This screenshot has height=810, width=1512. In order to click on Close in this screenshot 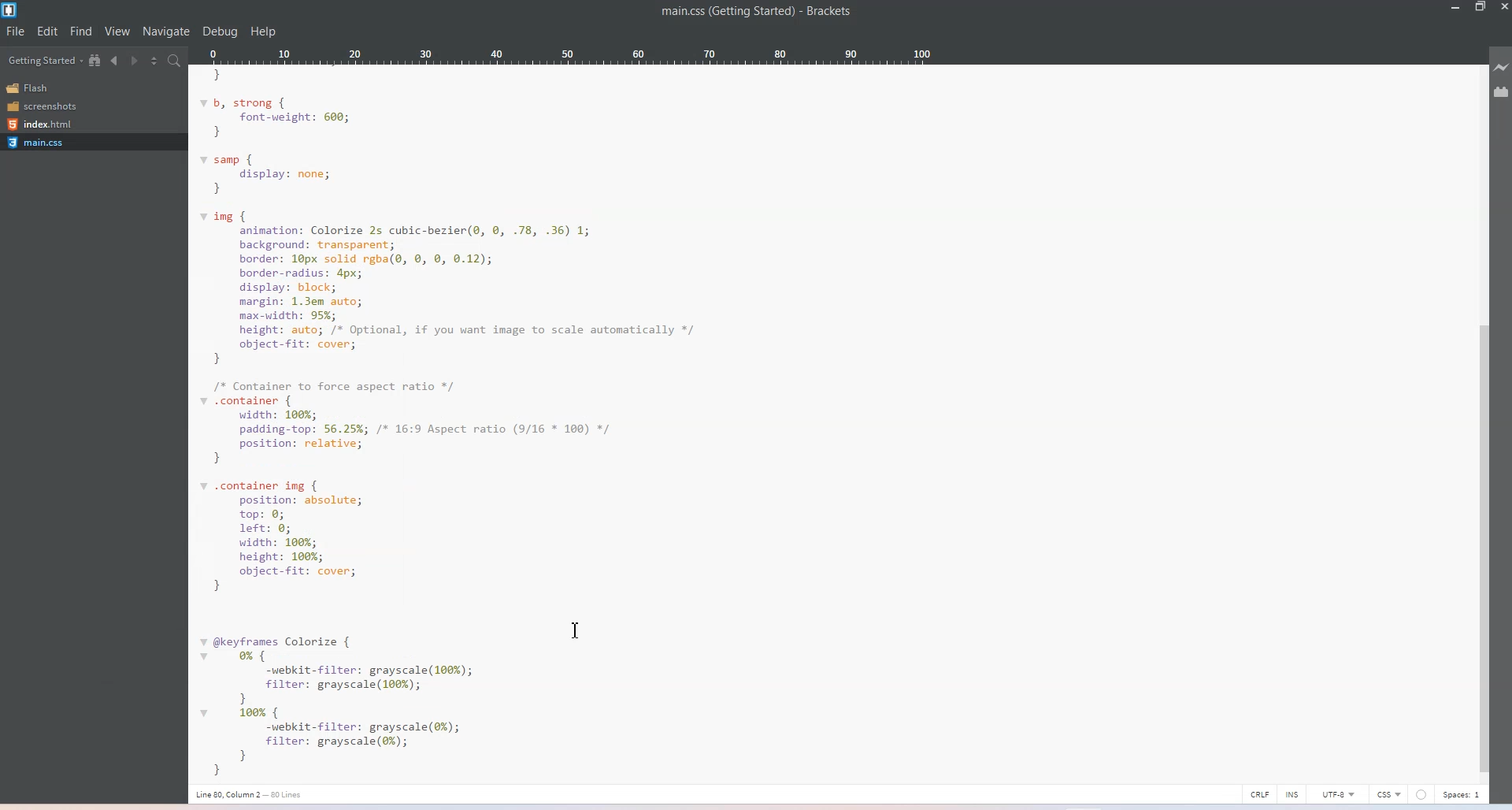, I will do `click(1503, 8)`.